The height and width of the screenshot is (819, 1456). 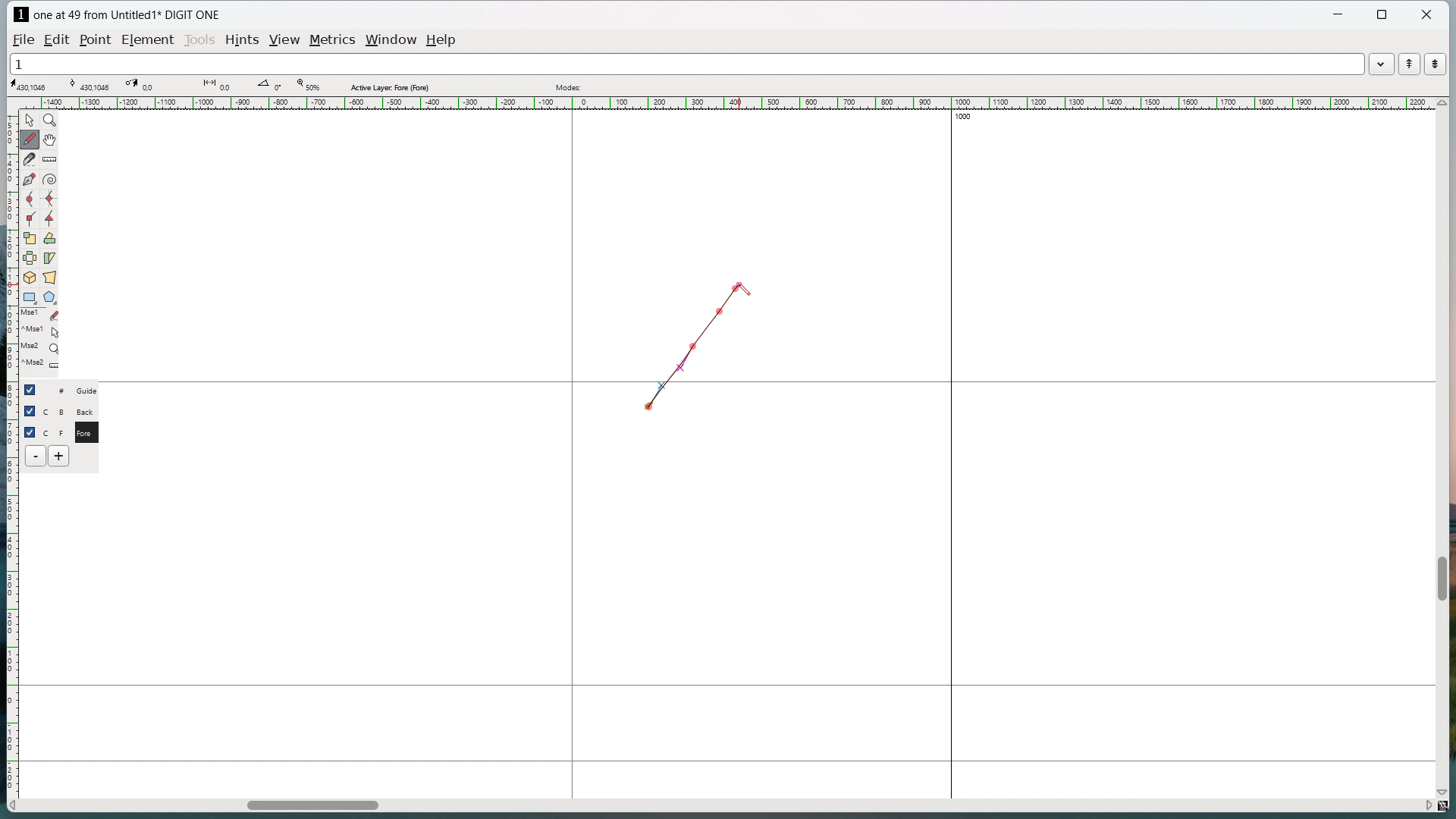 What do you see at coordinates (1441, 103) in the screenshot?
I see `scroll up` at bounding box center [1441, 103].